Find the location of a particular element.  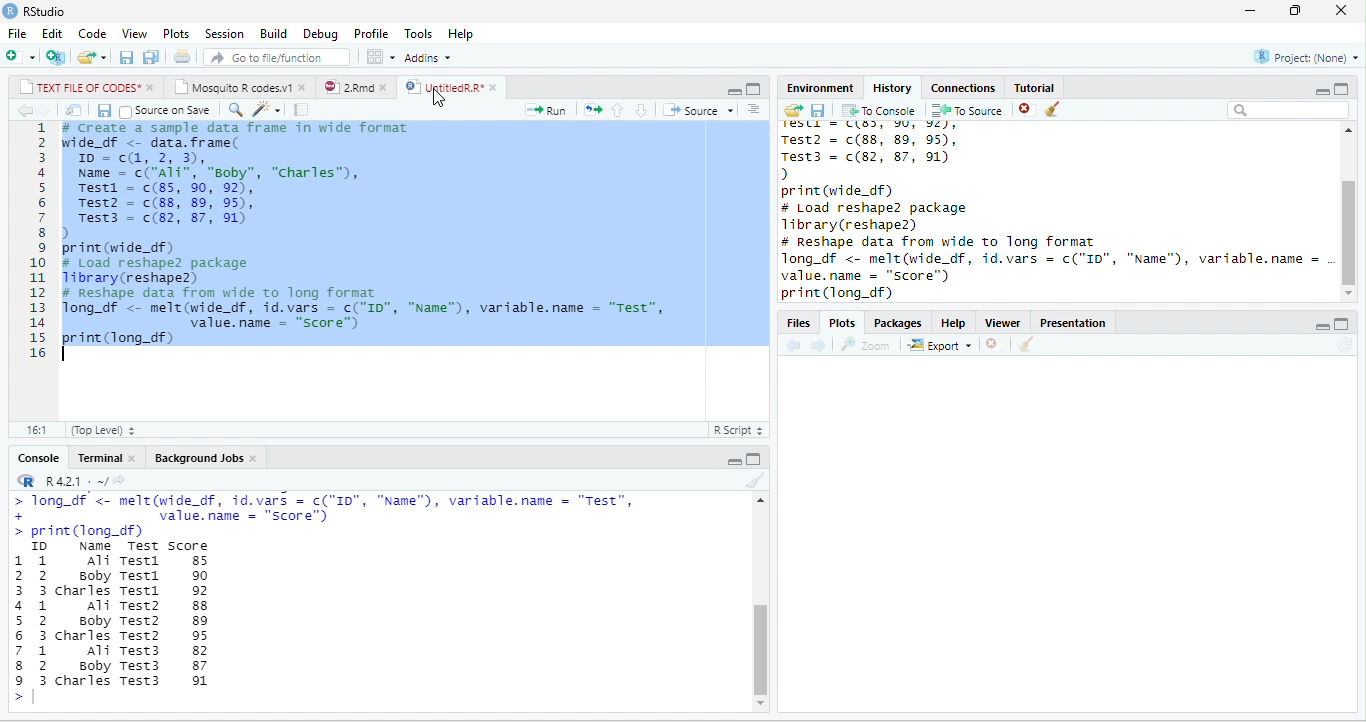

maximize is located at coordinates (754, 459).